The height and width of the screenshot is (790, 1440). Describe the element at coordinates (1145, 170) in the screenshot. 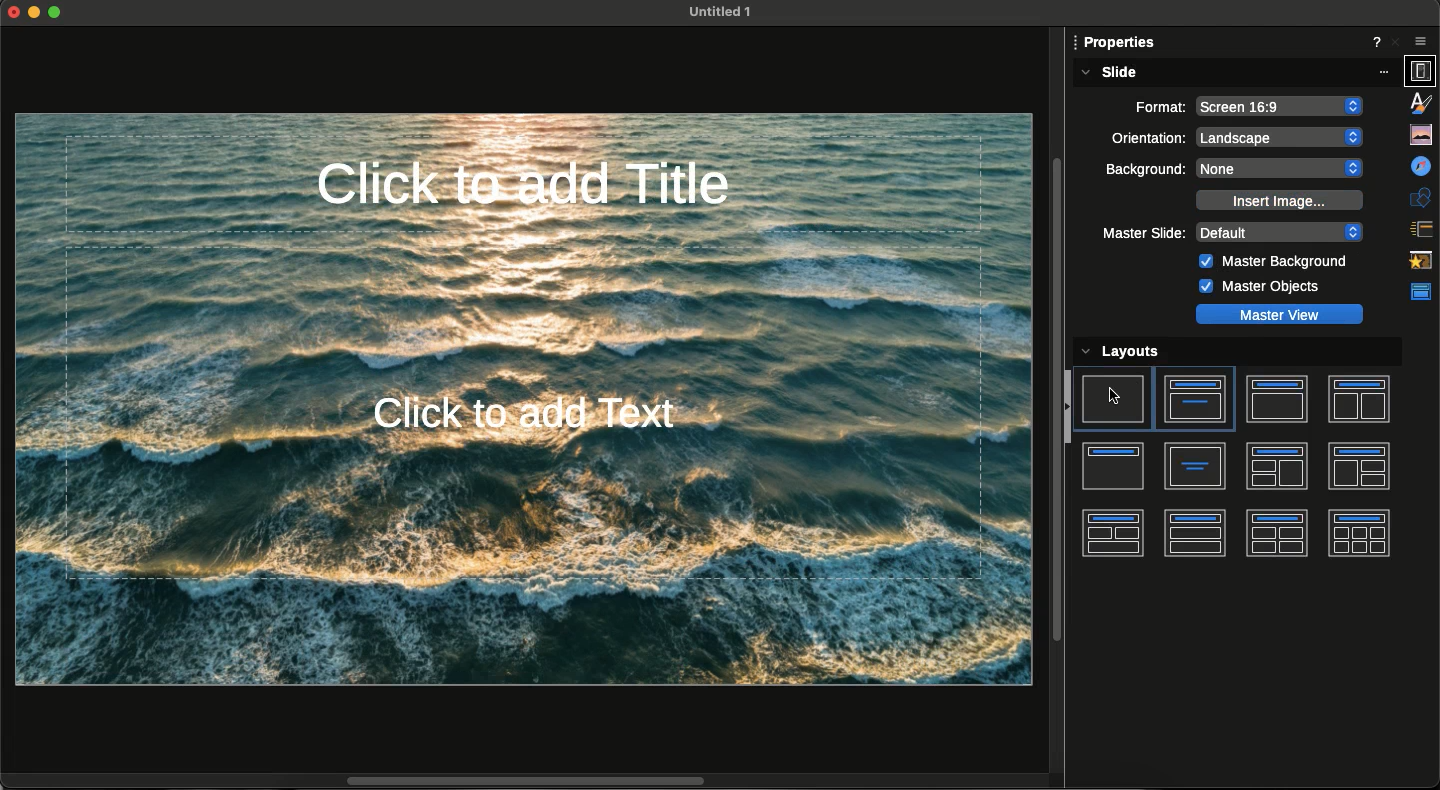

I see `Background` at that location.